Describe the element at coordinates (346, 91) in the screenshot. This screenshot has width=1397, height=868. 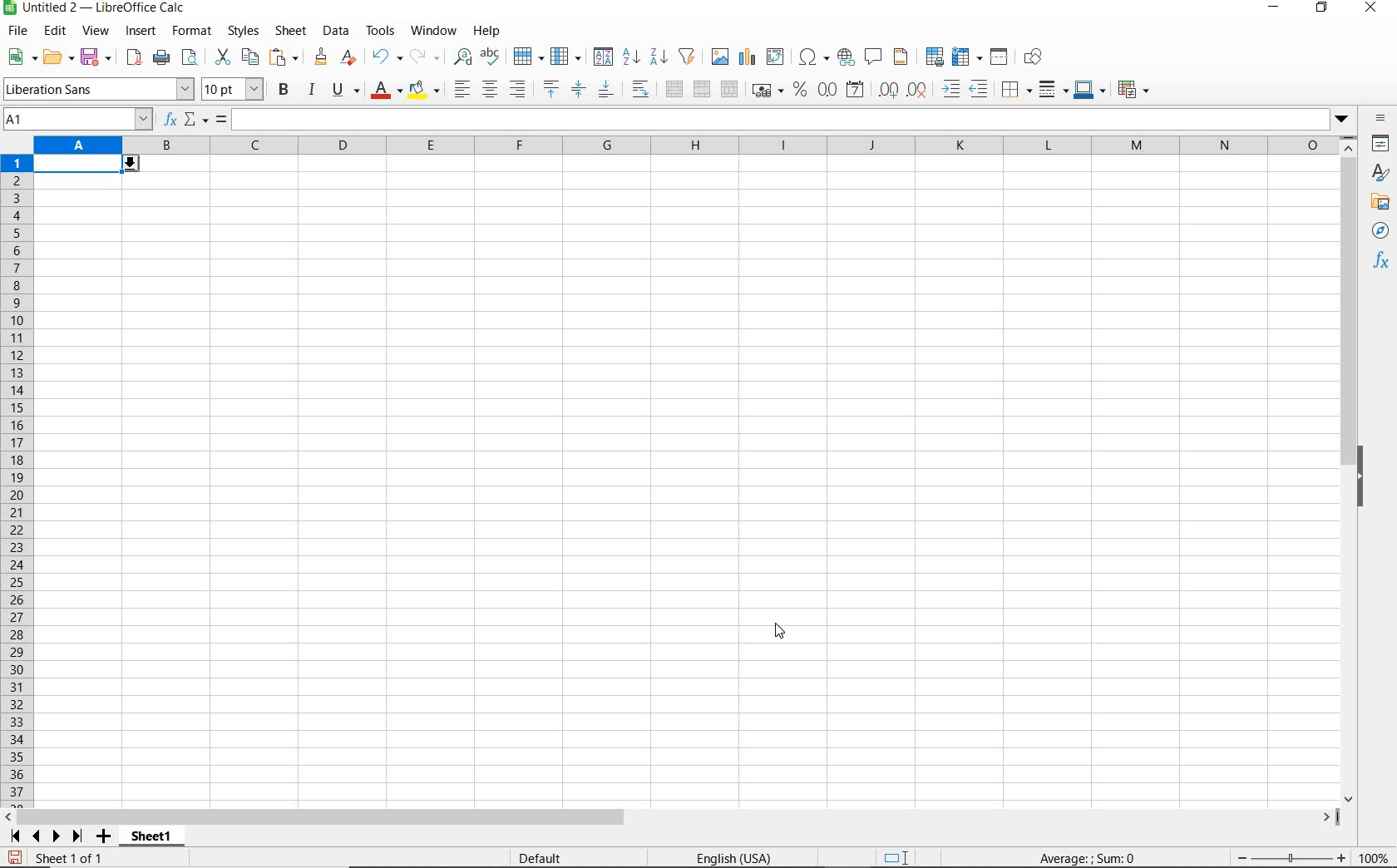
I see `underline` at that location.